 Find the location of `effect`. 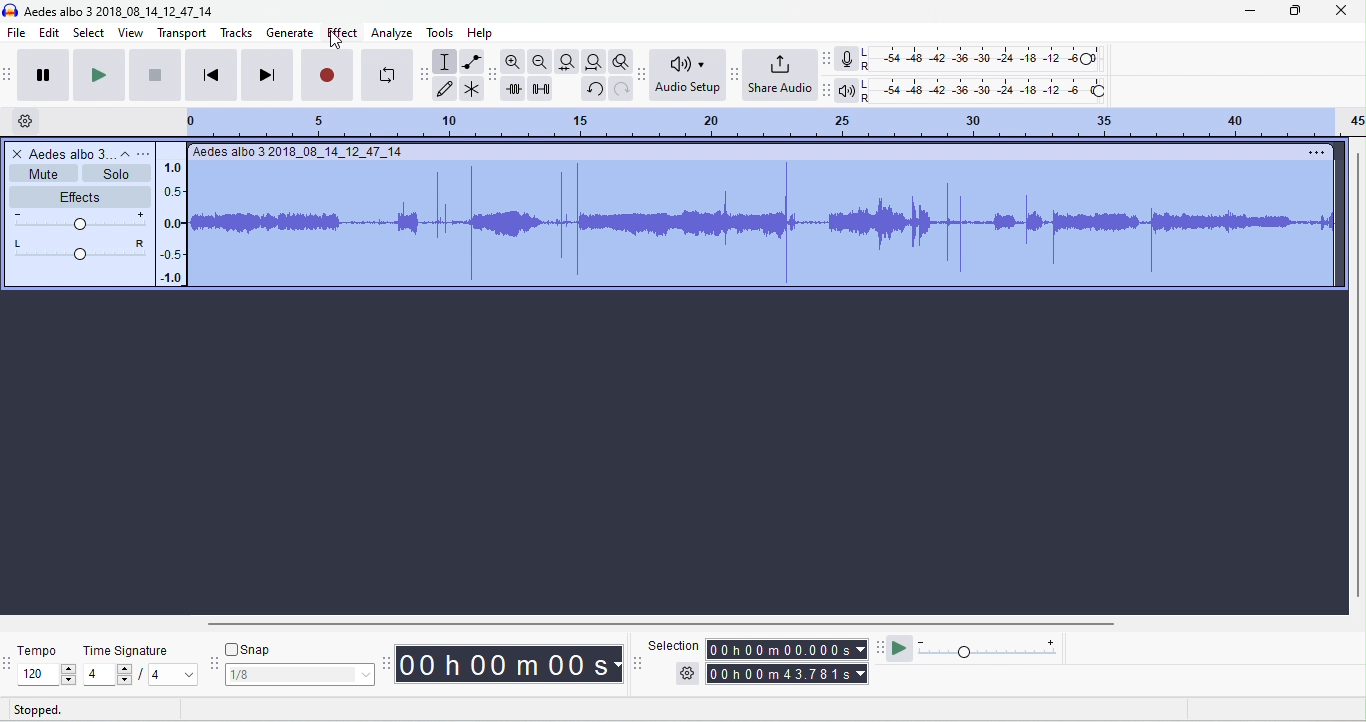

effect is located at coordinates (342, 34).